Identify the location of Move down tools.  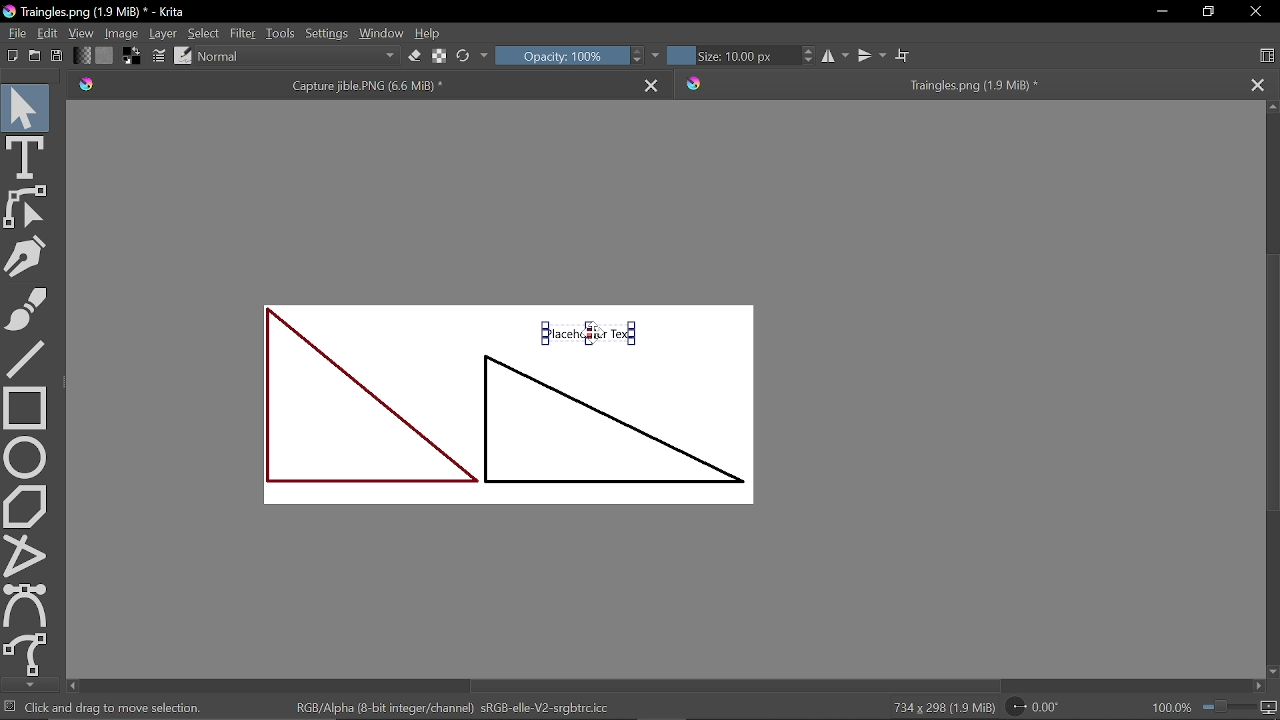
(27, 684).